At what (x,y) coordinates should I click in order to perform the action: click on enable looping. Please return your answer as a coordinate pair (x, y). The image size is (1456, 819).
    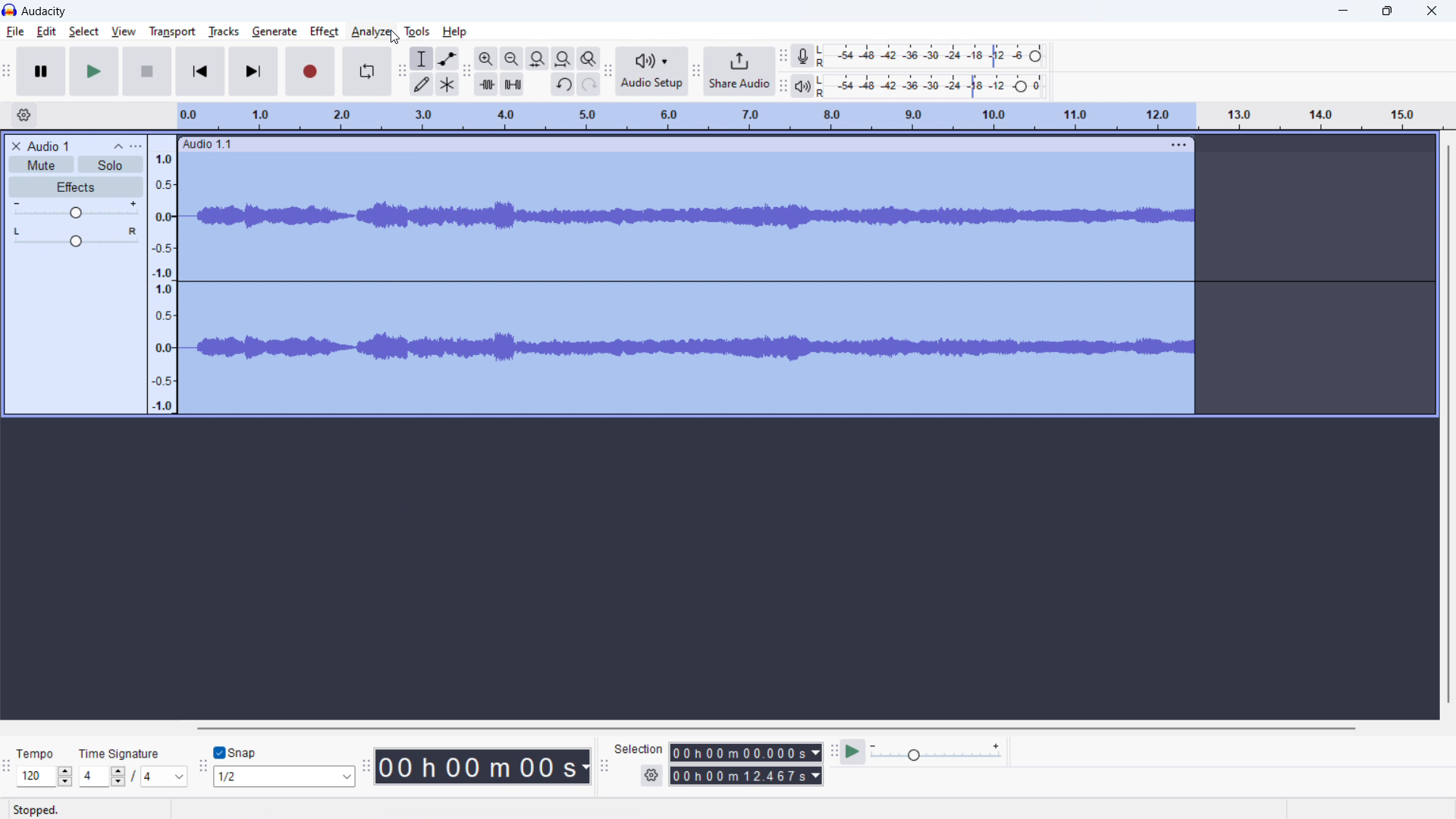
    Looking at the image, I should click on (366, 71).